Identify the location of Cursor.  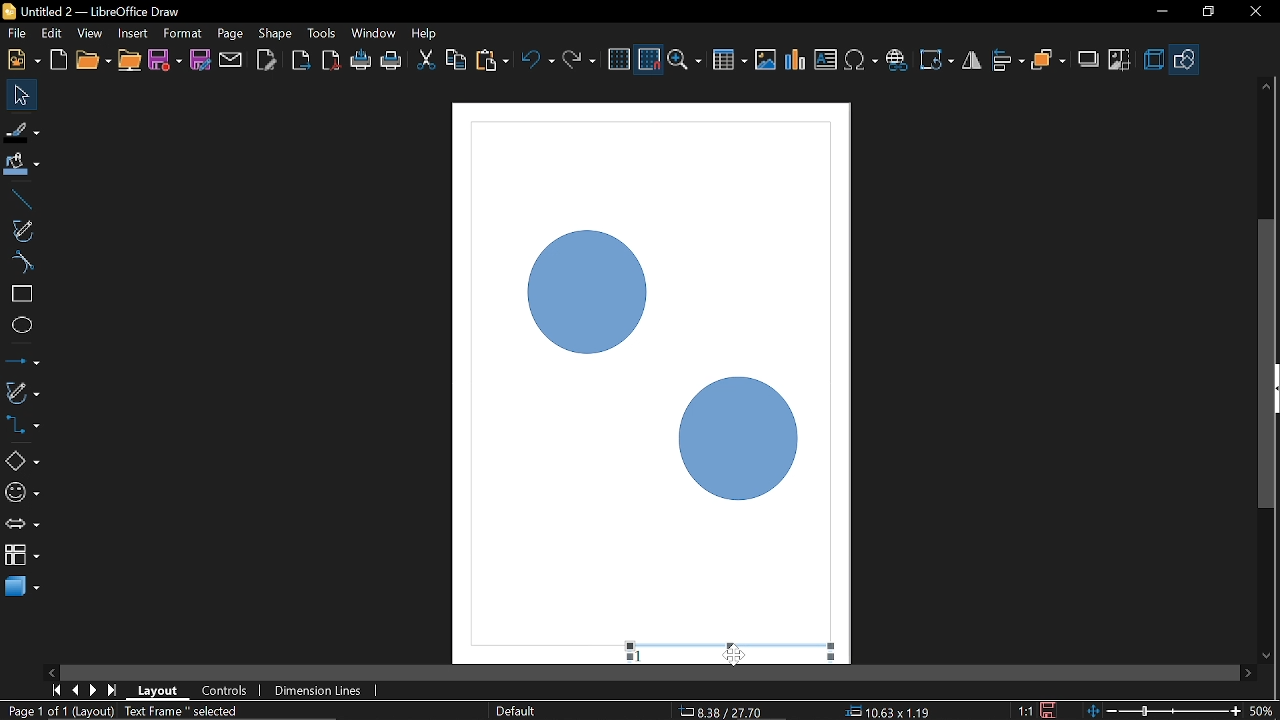
(734, 654).